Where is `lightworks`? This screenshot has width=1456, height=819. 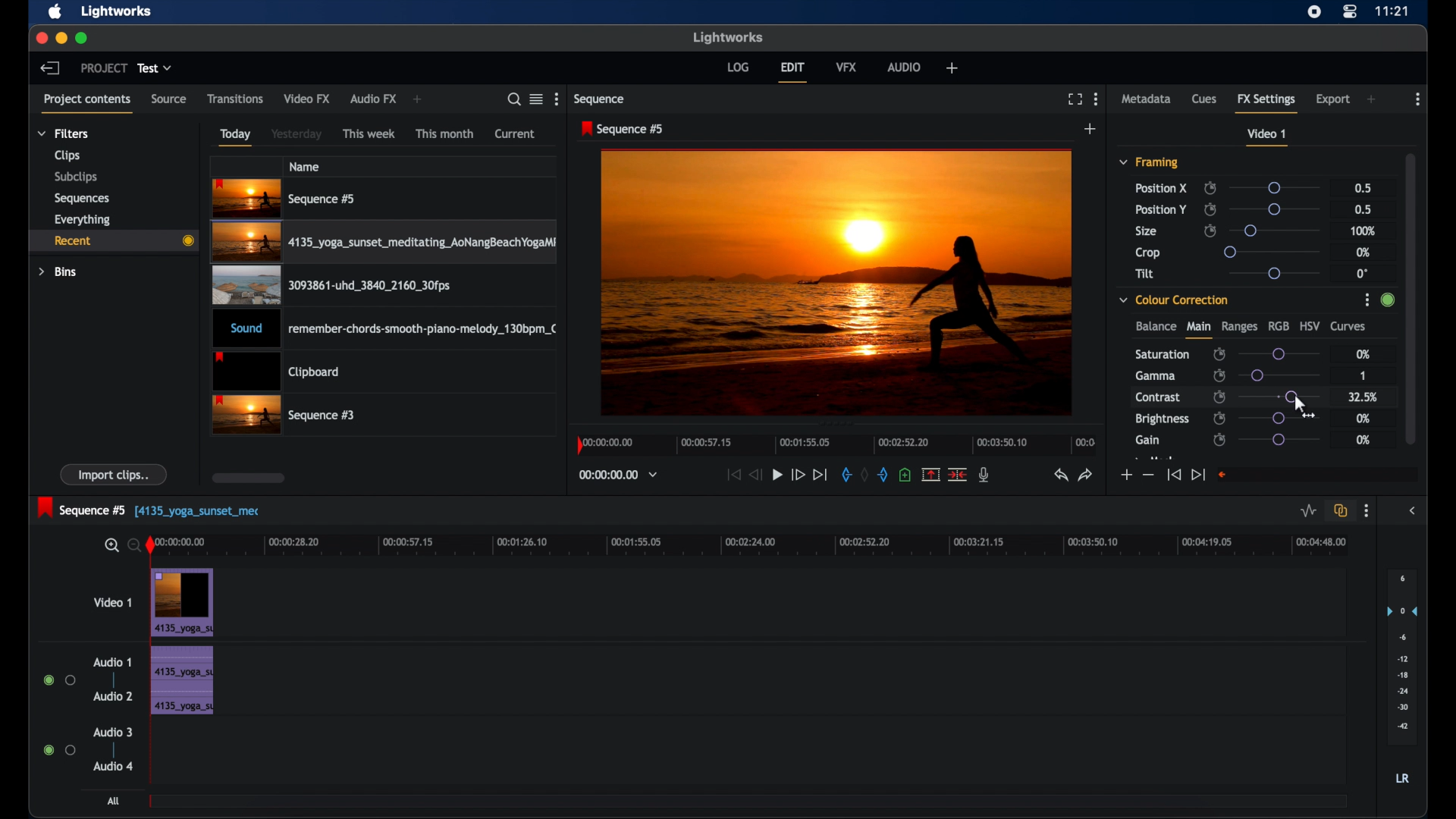 lightworks is located at coordinates (730, 37).